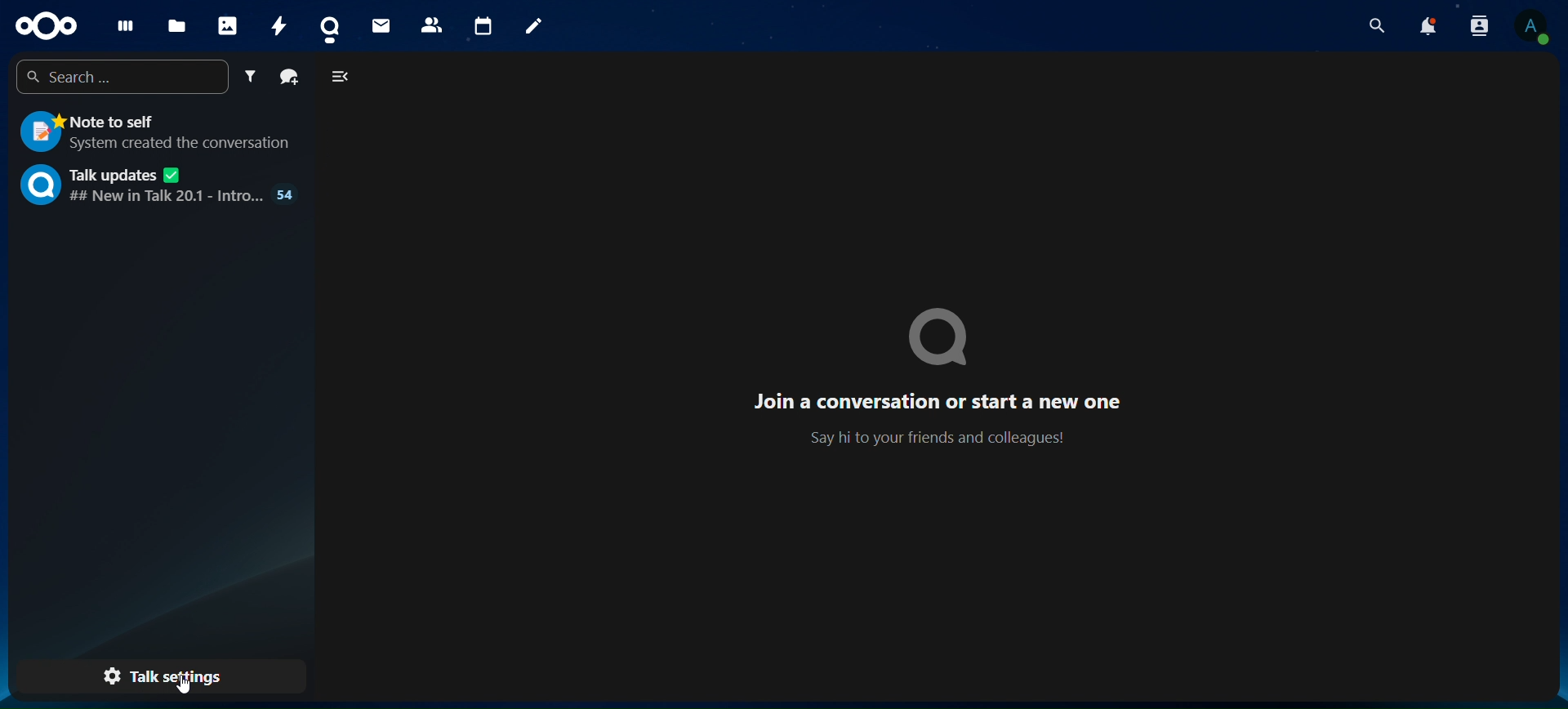 The height and width of the screenshot is (709, 1568). Describe the element at coordinates (158, 677) in the screenshot. I see `talk settings` at that location.